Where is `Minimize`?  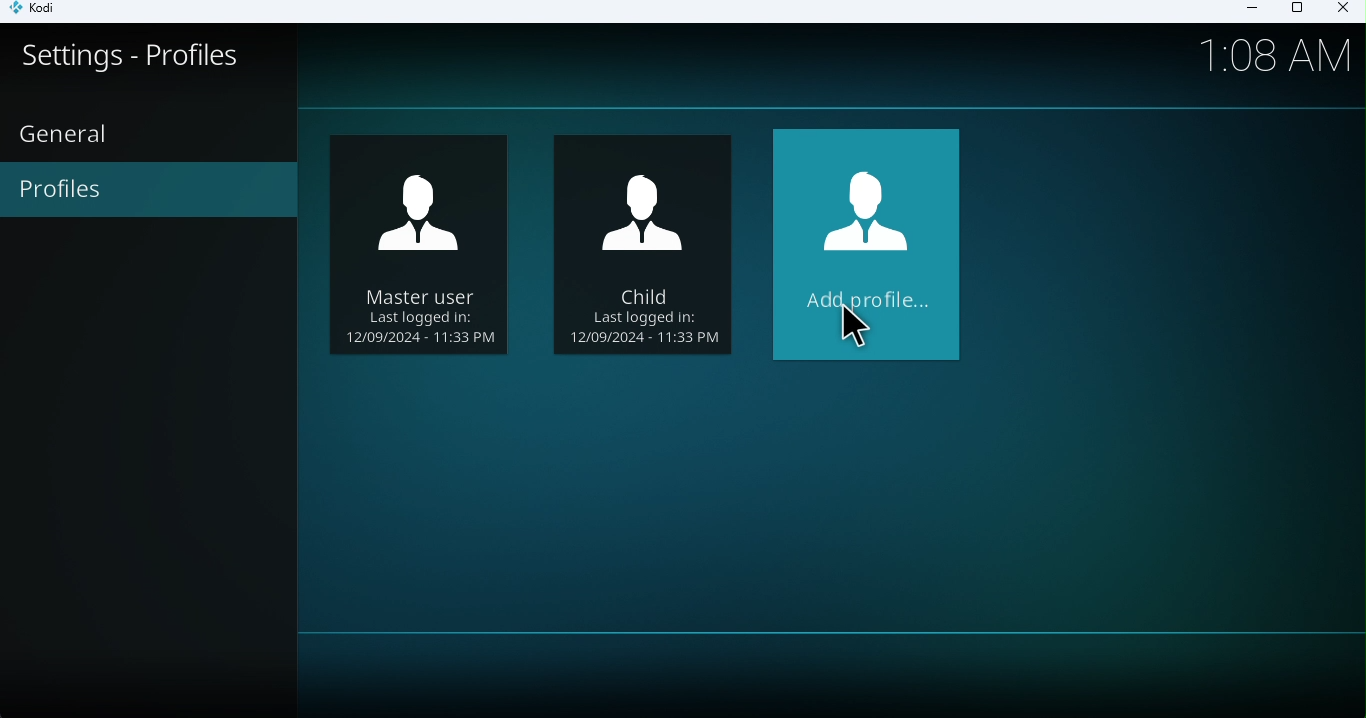 Minimize is located at coordinates (1245, 11).